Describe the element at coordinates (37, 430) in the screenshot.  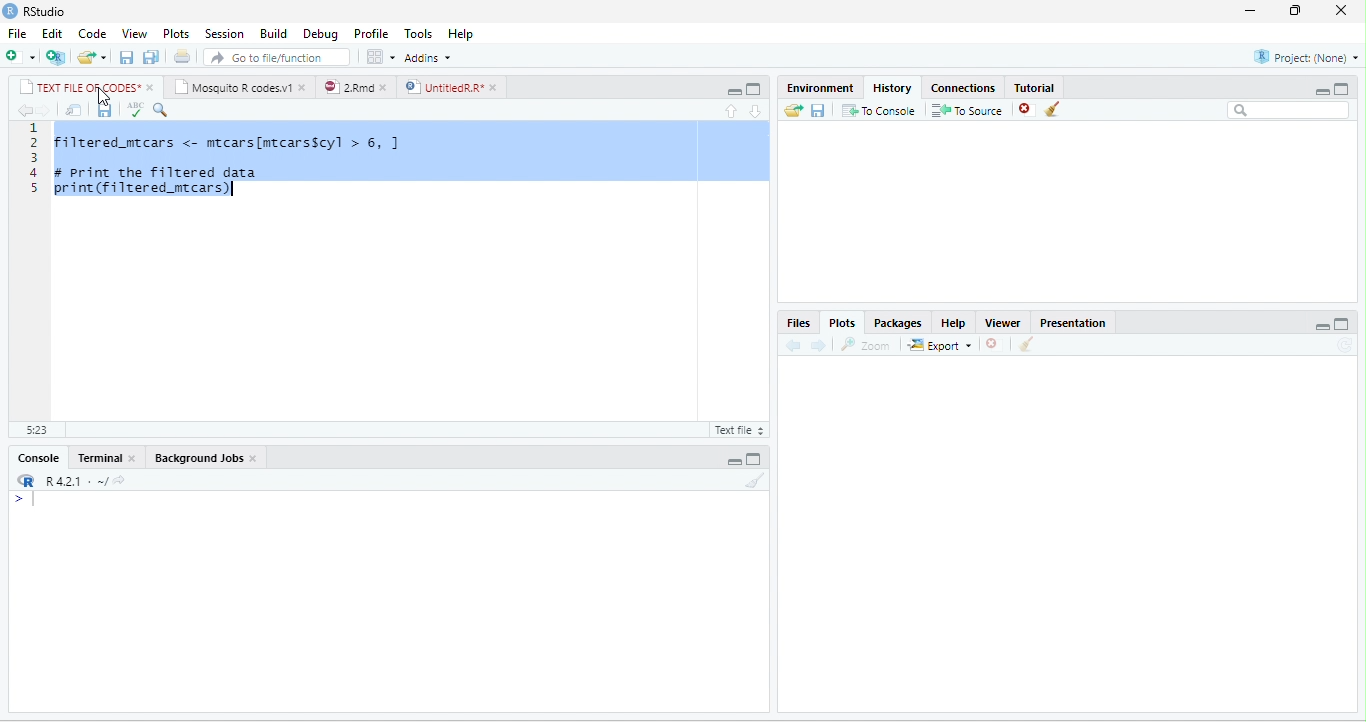
I see `5:23` at that location.